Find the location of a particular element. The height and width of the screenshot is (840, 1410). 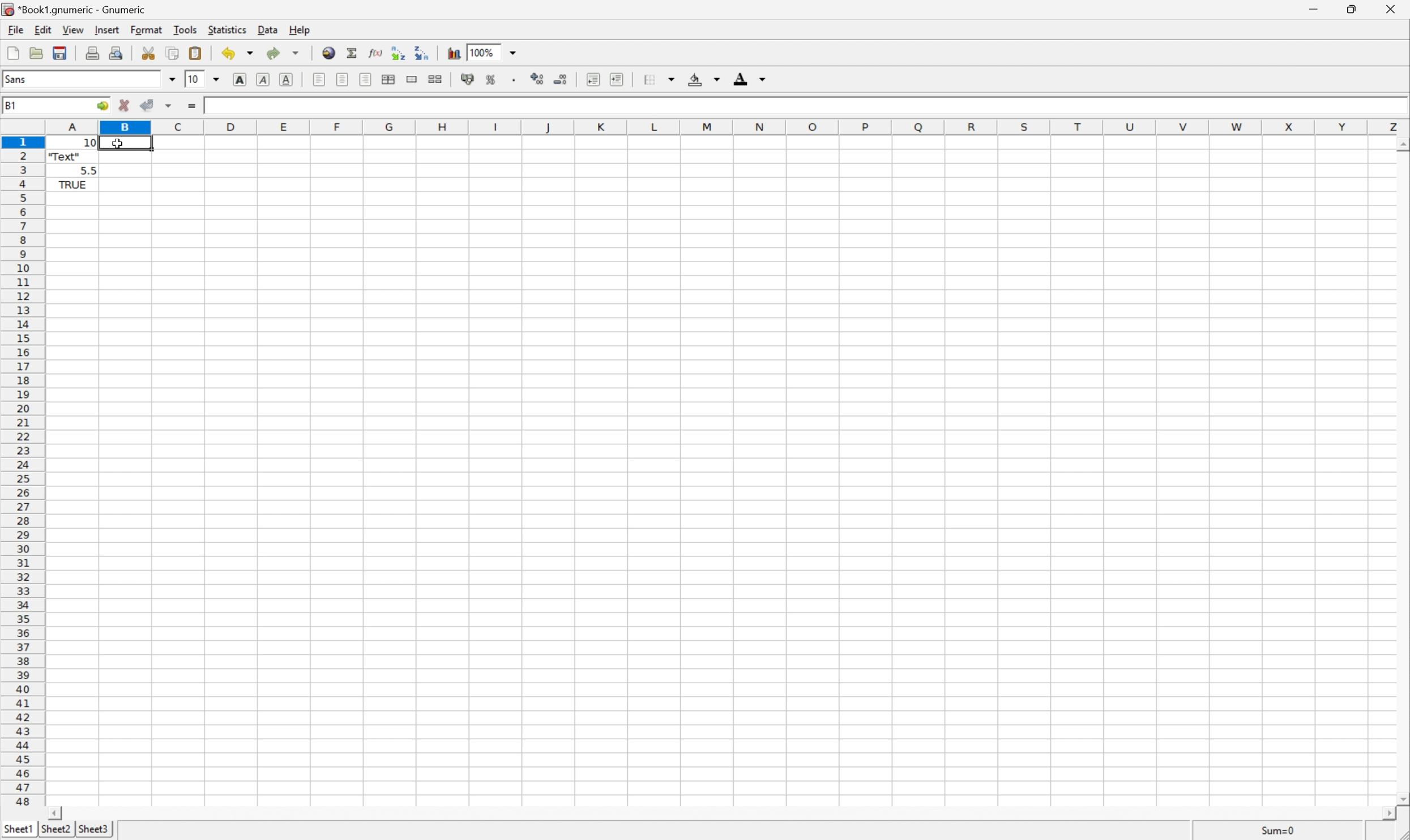

Insert is located at coordinates (106, 29).